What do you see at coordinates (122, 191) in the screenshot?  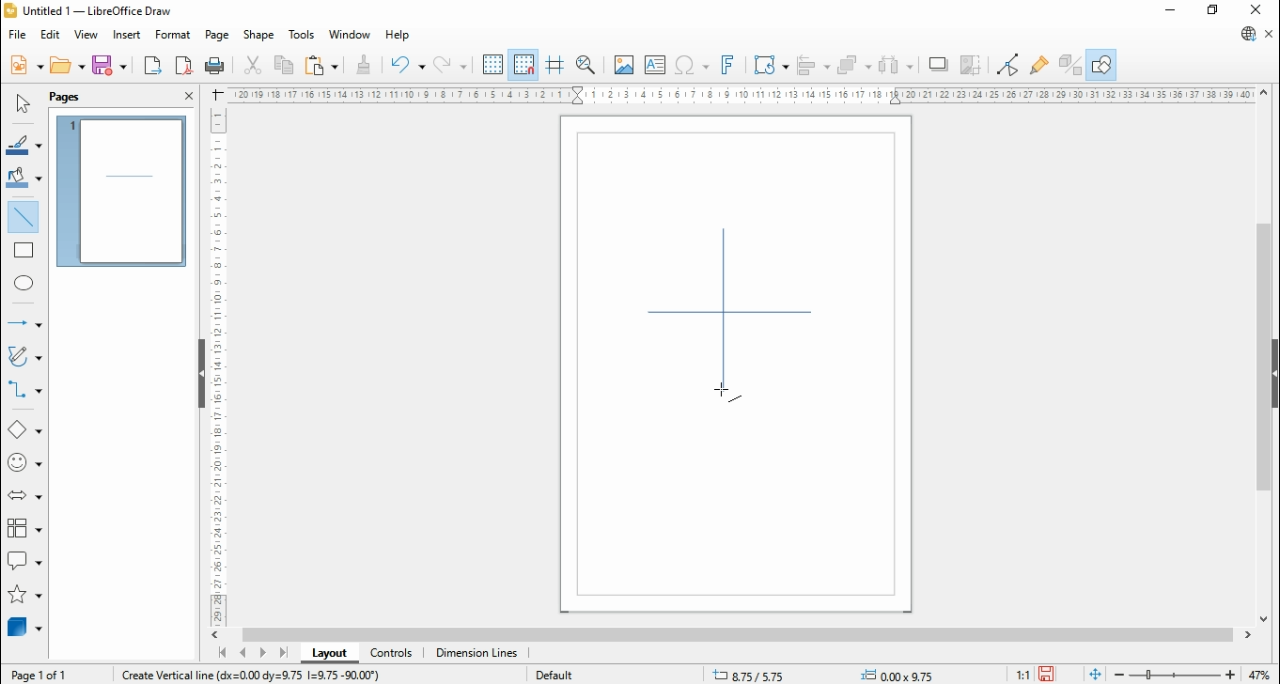 I see `page 1` at bounding box center [122, 191].